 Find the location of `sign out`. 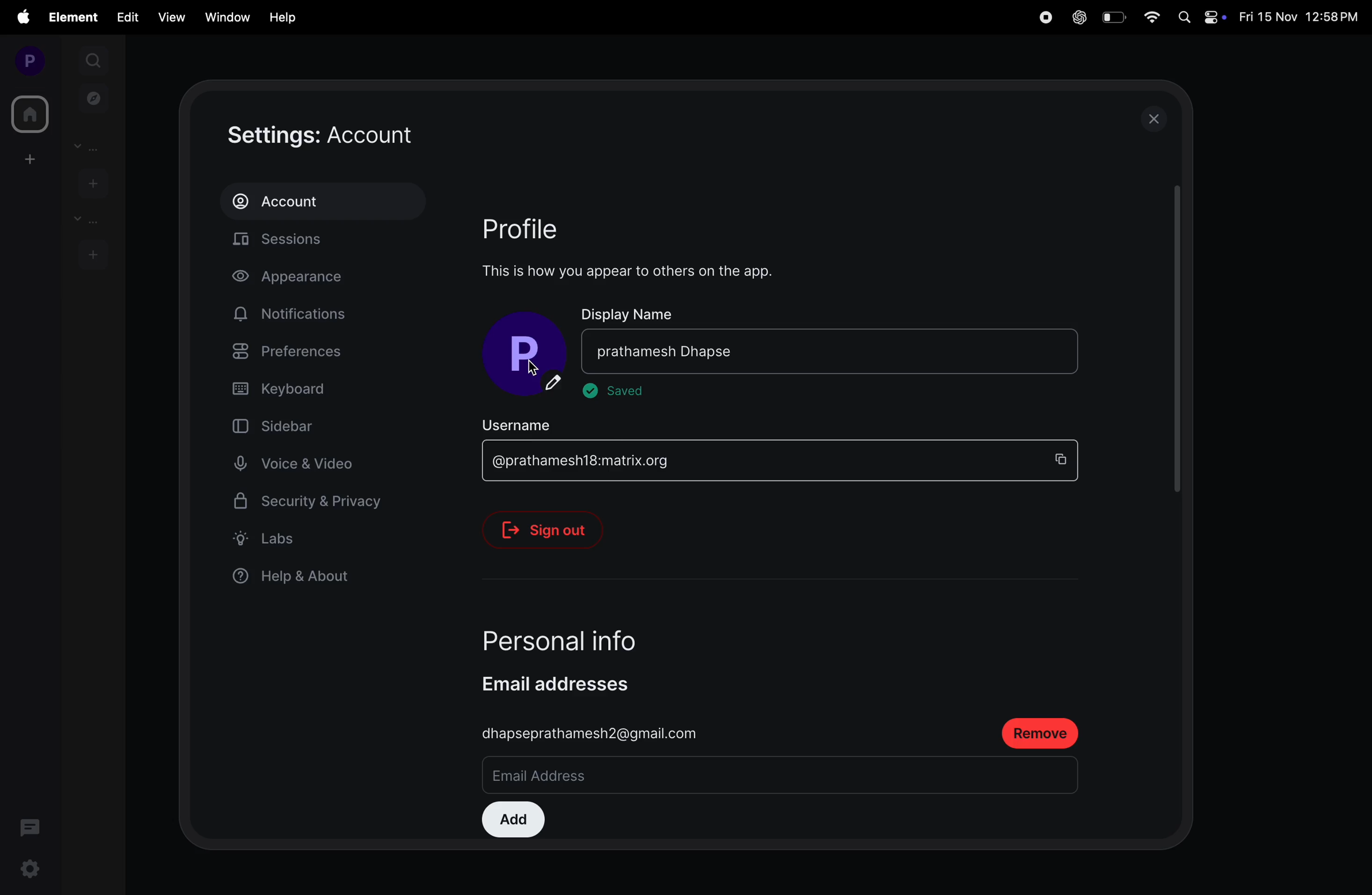

sign out is located at coordinates (552, 526).